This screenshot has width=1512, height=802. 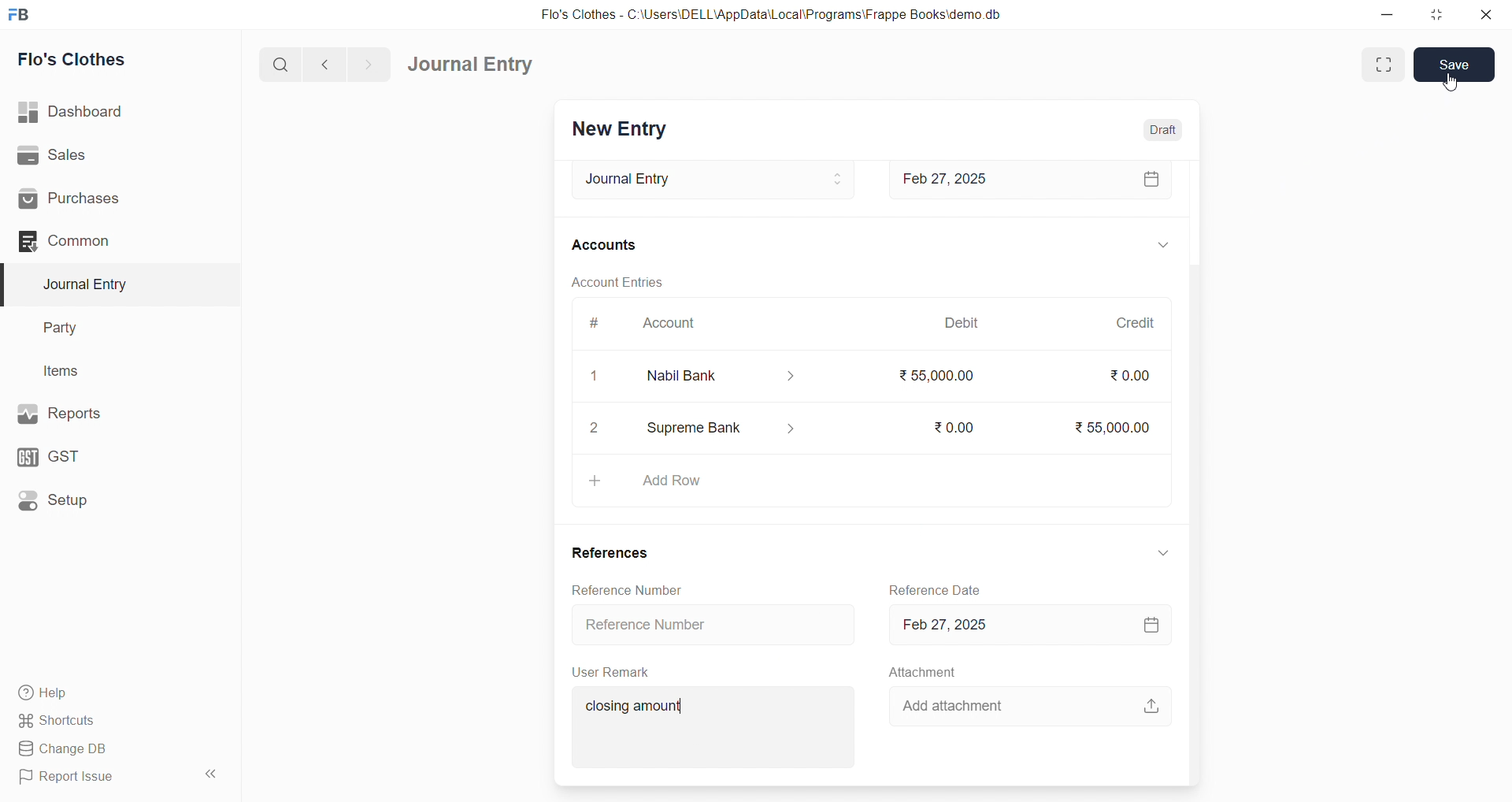 I want to click on VERTICAL SCROLL BAR, so click(x=1192, y=472).